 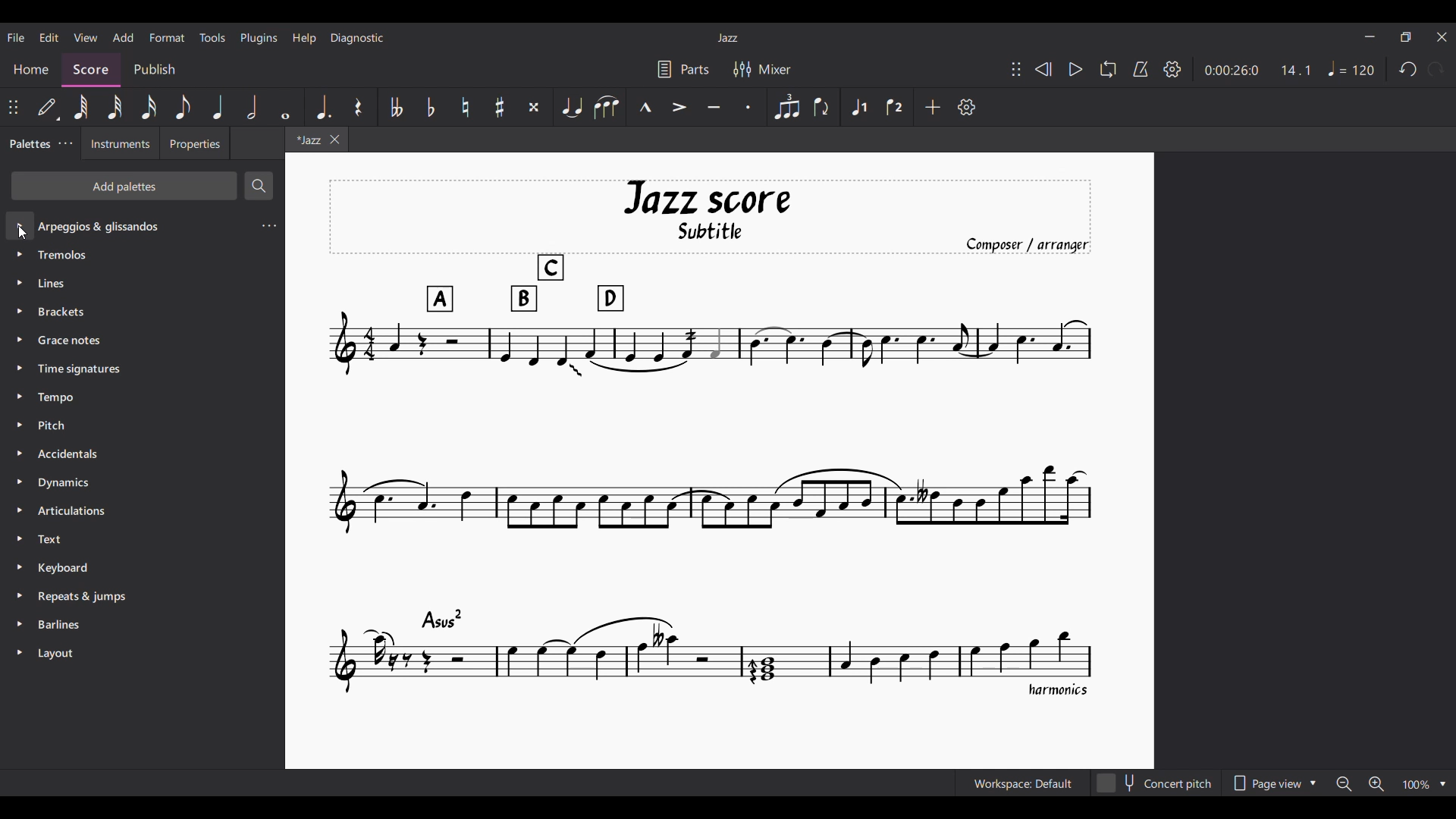 I want to click on Brackets, so click(x=71, y=311).